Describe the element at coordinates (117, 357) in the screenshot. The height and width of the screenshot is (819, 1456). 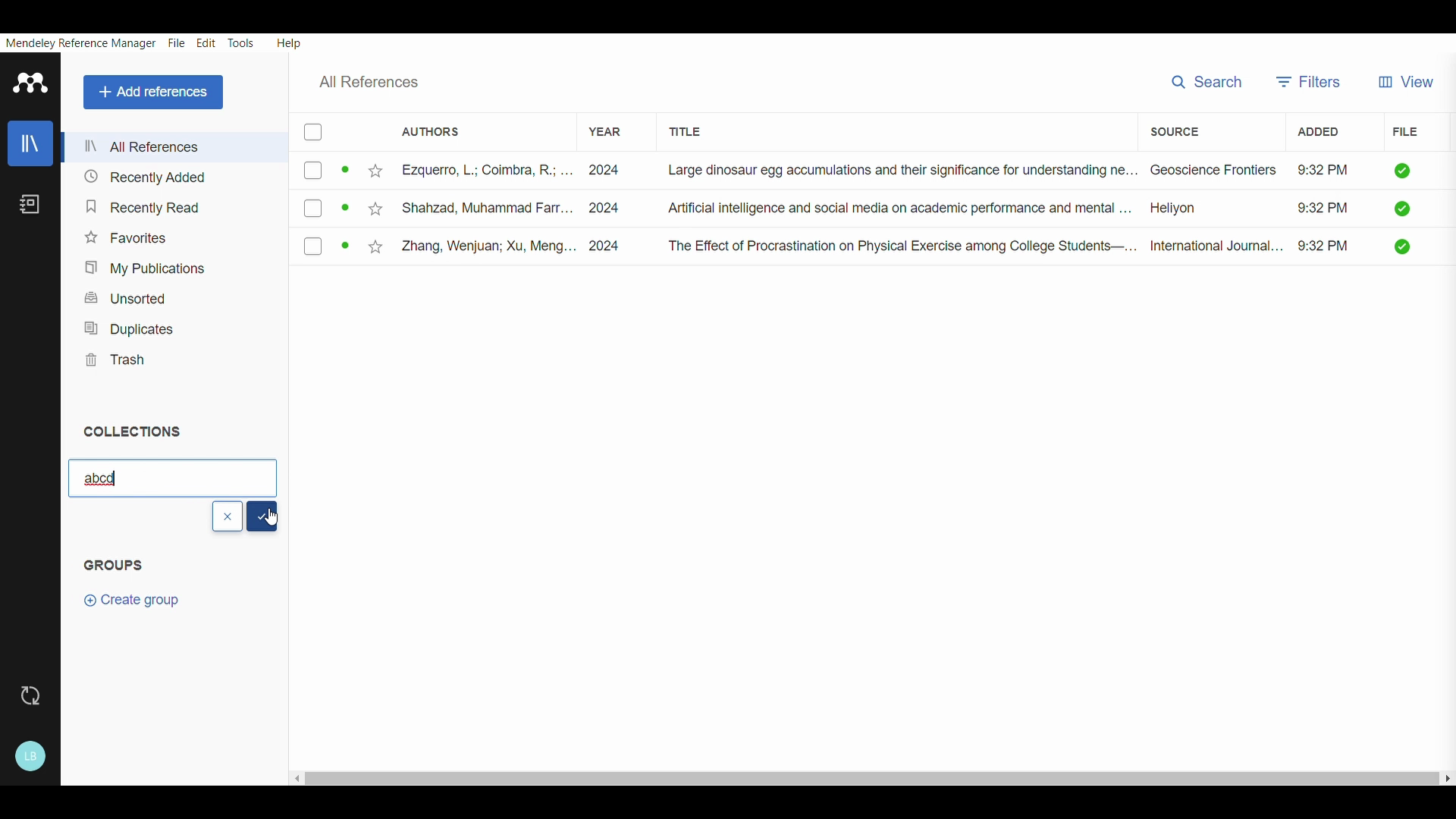
I see `Trash` at that location.